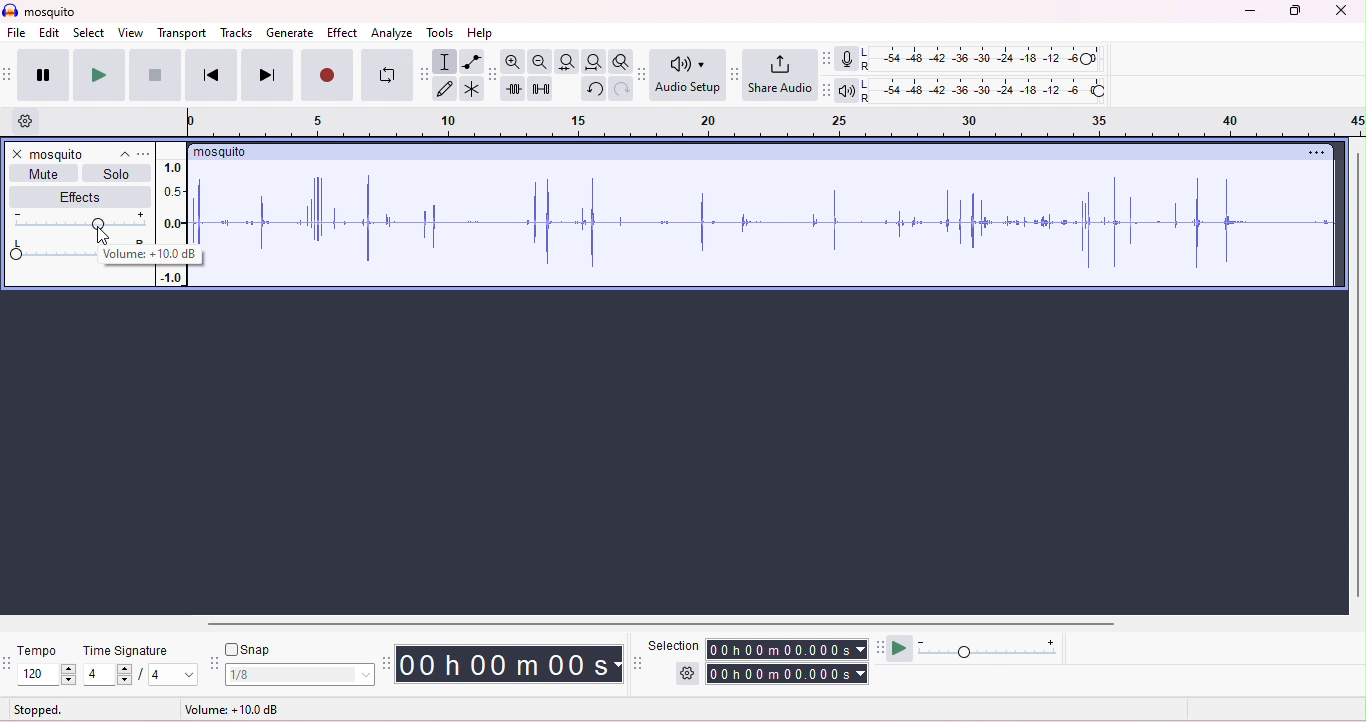 The width and height of the screenshot is (1366, 722). I want to click on snap tool bar, so click(215, 663).